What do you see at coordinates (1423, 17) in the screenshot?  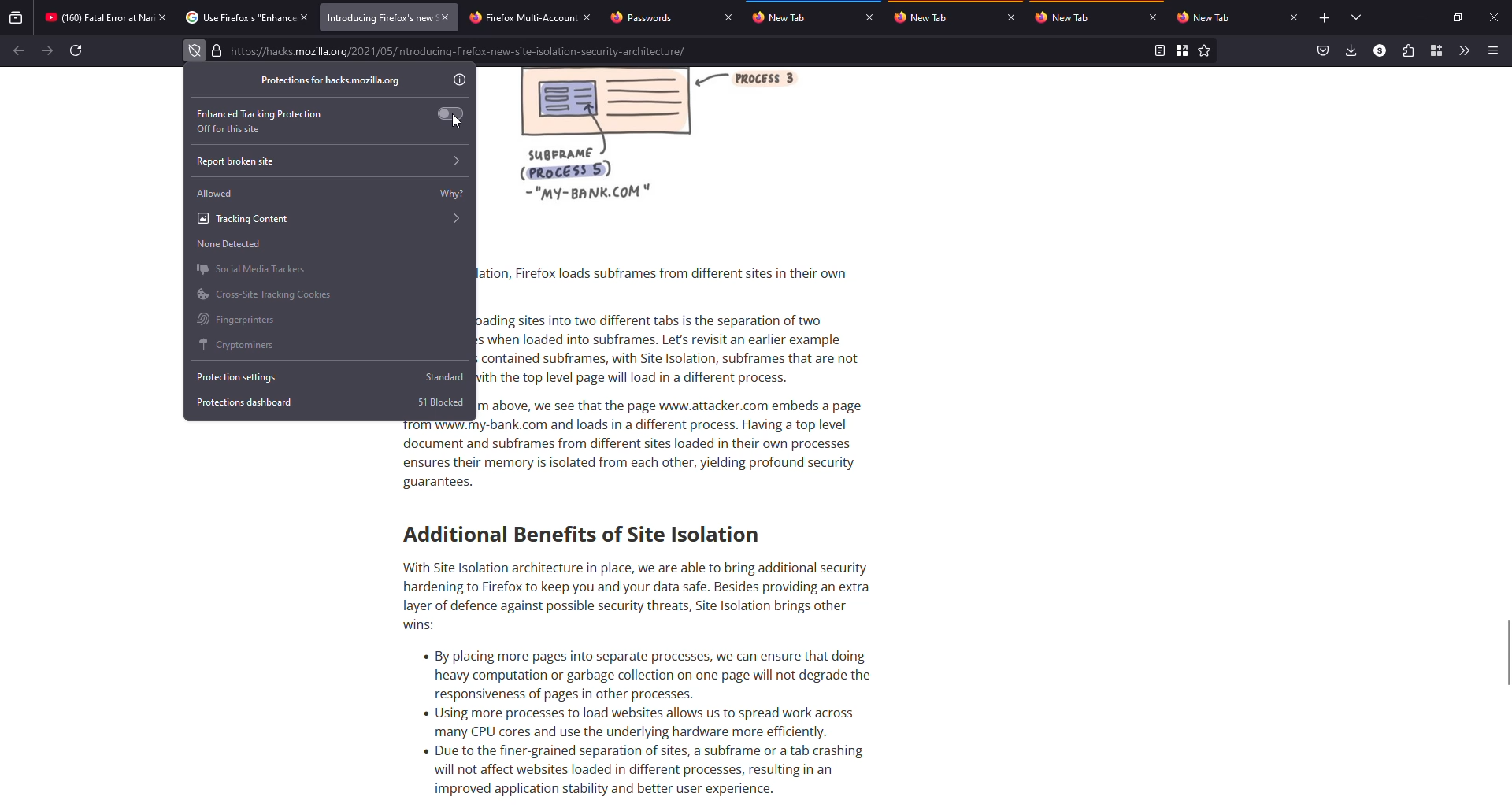 I see `minimize` at bounding box center [1423, 17].